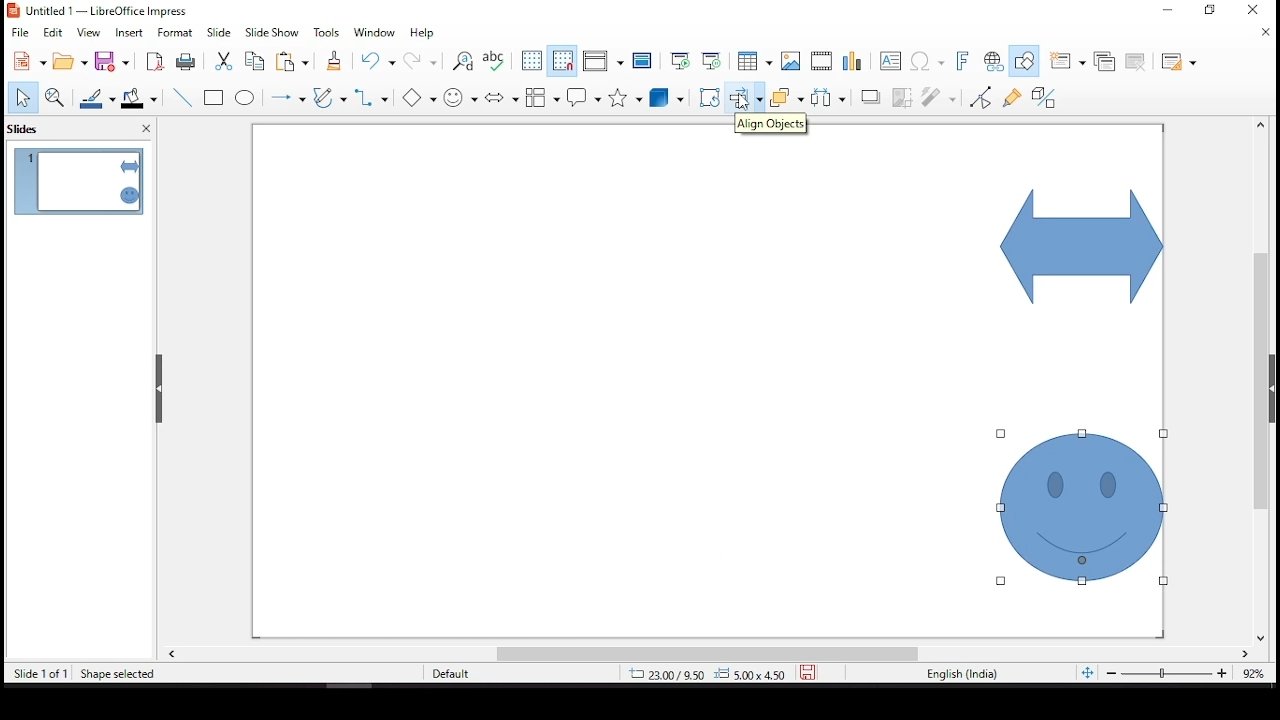 The image size is (1280, 720). I want to click on english (india), so click(961, 672).